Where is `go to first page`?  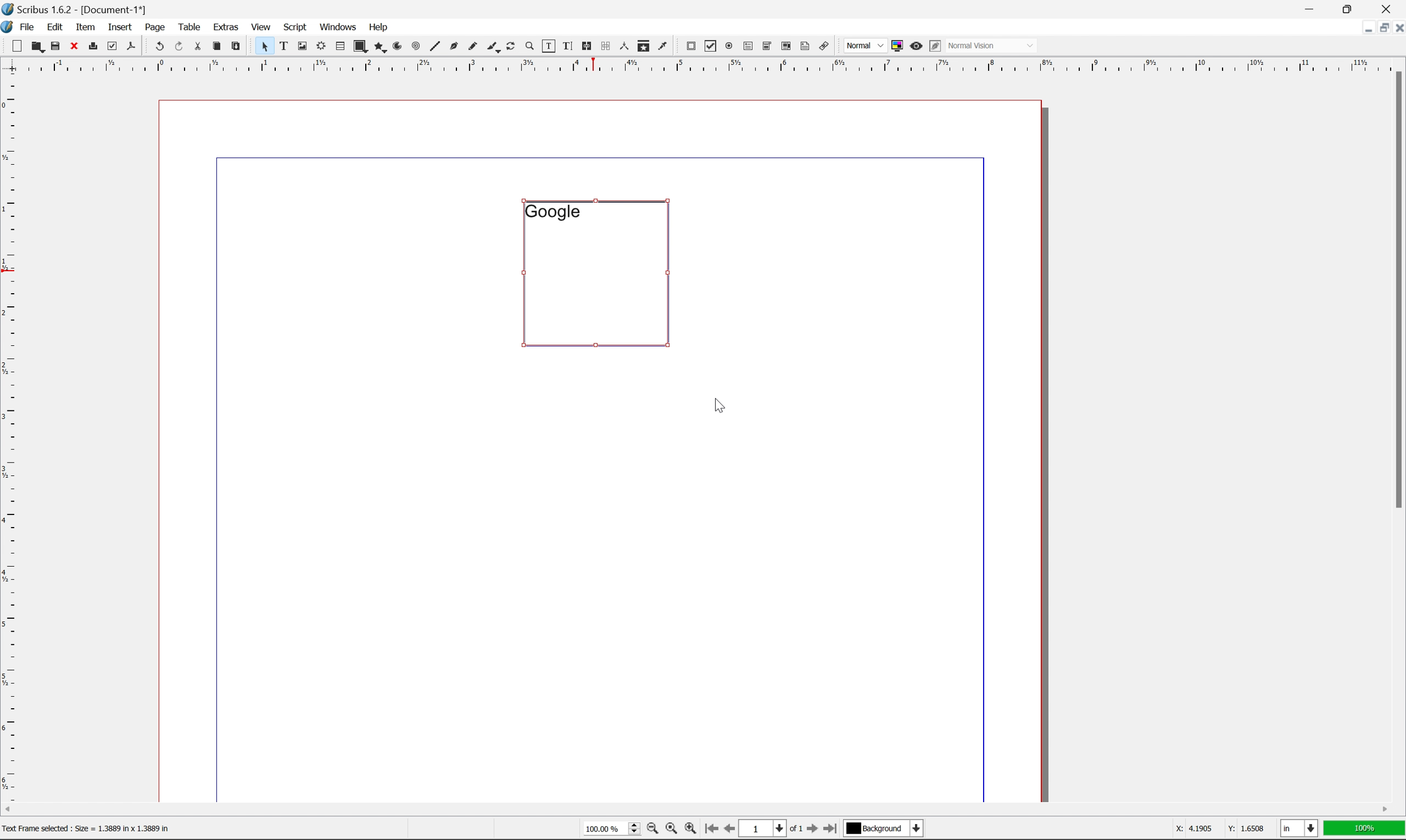
go to first page is located at coordinates (710, 829).